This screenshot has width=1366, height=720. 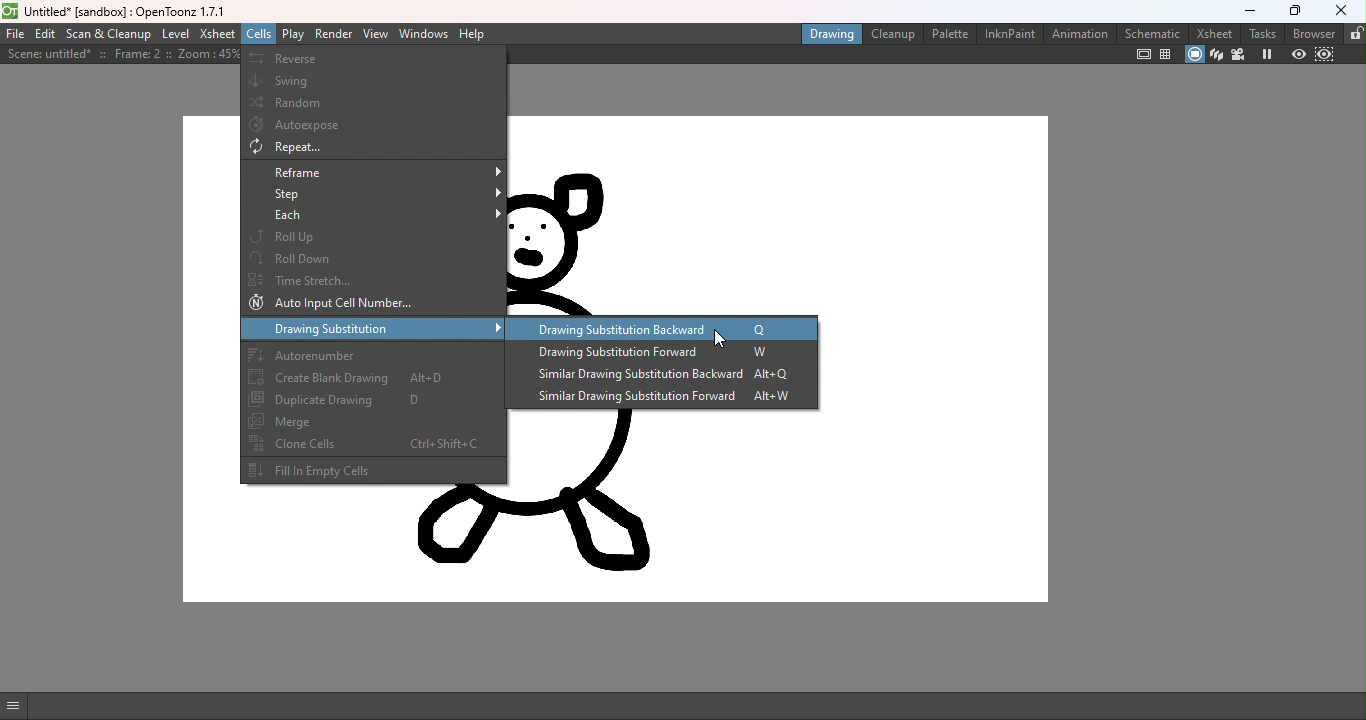 I want to click on Close, so click(x=1343, y=12).